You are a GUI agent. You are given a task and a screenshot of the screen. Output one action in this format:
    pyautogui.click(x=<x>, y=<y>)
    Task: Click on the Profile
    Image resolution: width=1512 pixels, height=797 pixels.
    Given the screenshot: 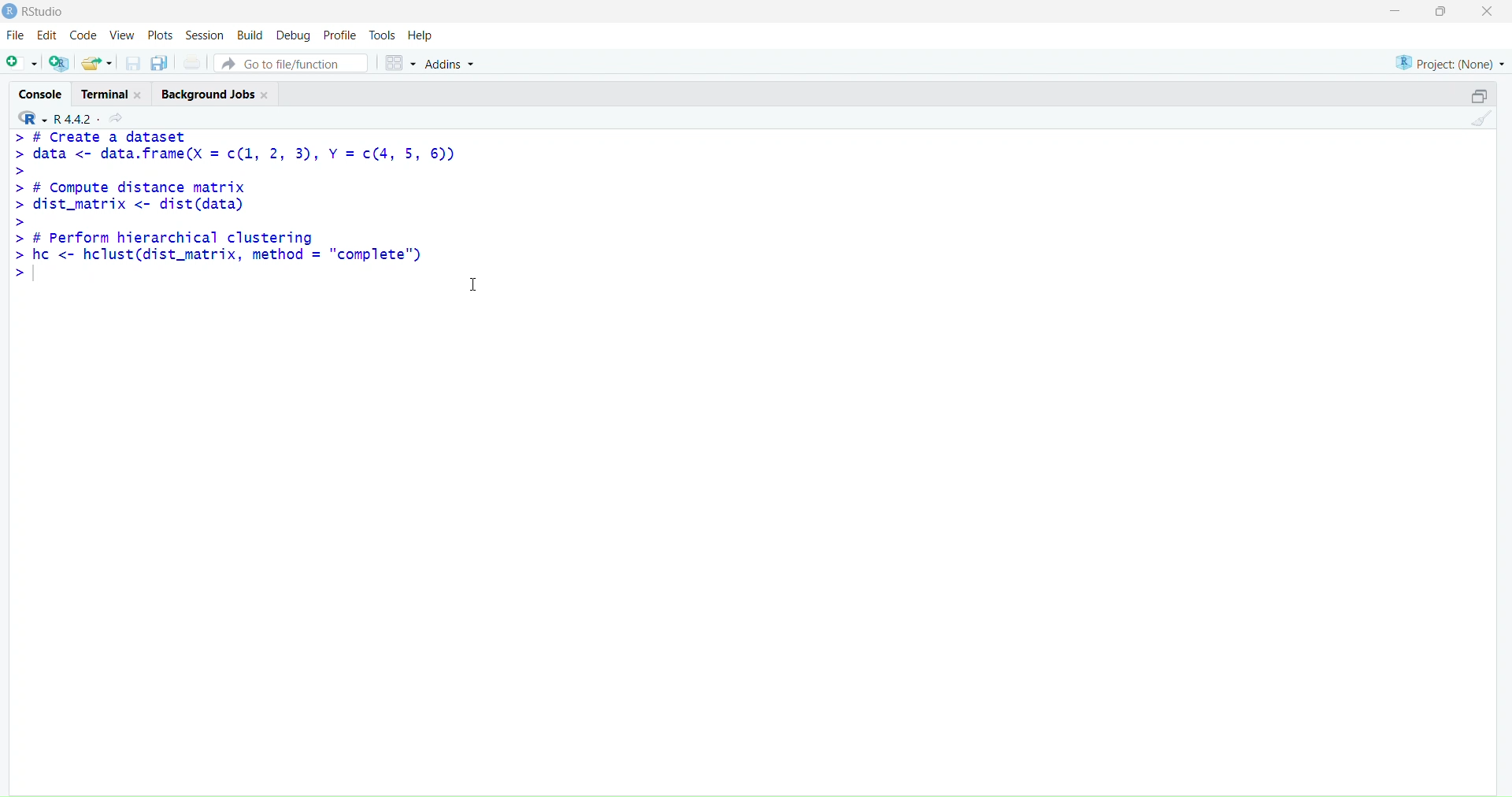 What is the action you would take?
    pyautogui.click(x=338, y=35)
    